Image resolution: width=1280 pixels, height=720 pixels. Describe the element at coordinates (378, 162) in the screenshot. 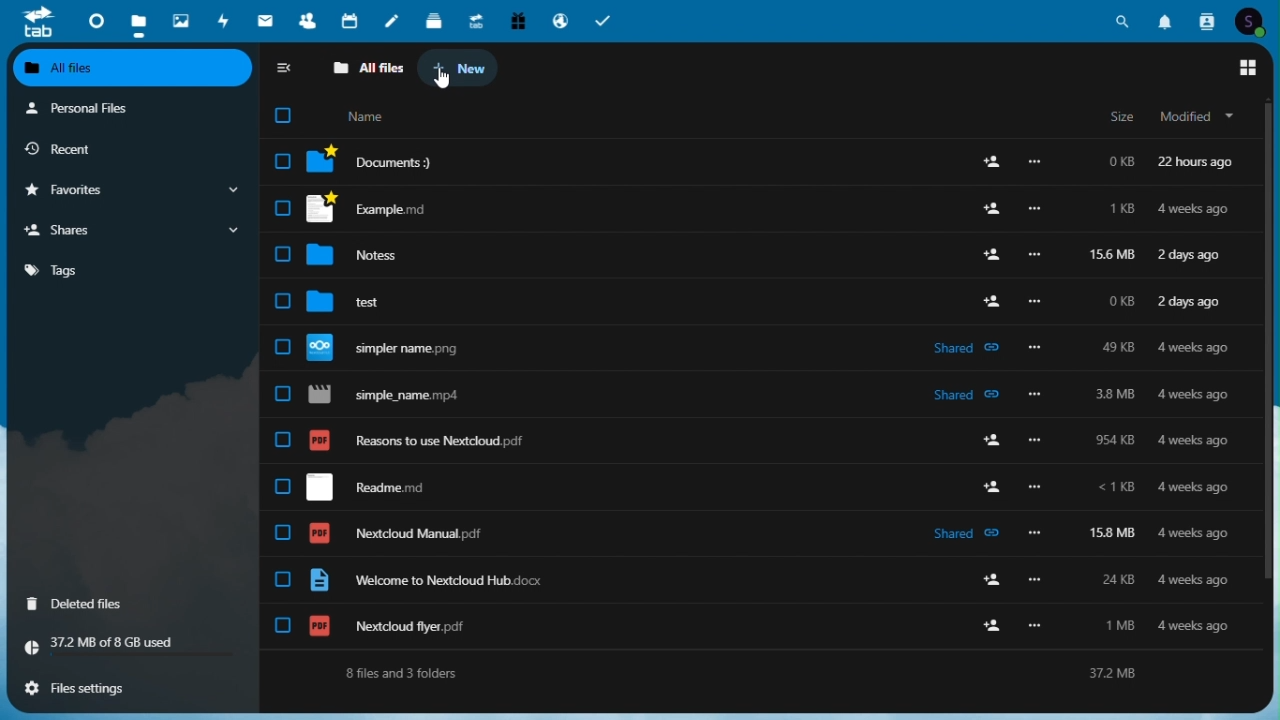

I see `documents` at that location.